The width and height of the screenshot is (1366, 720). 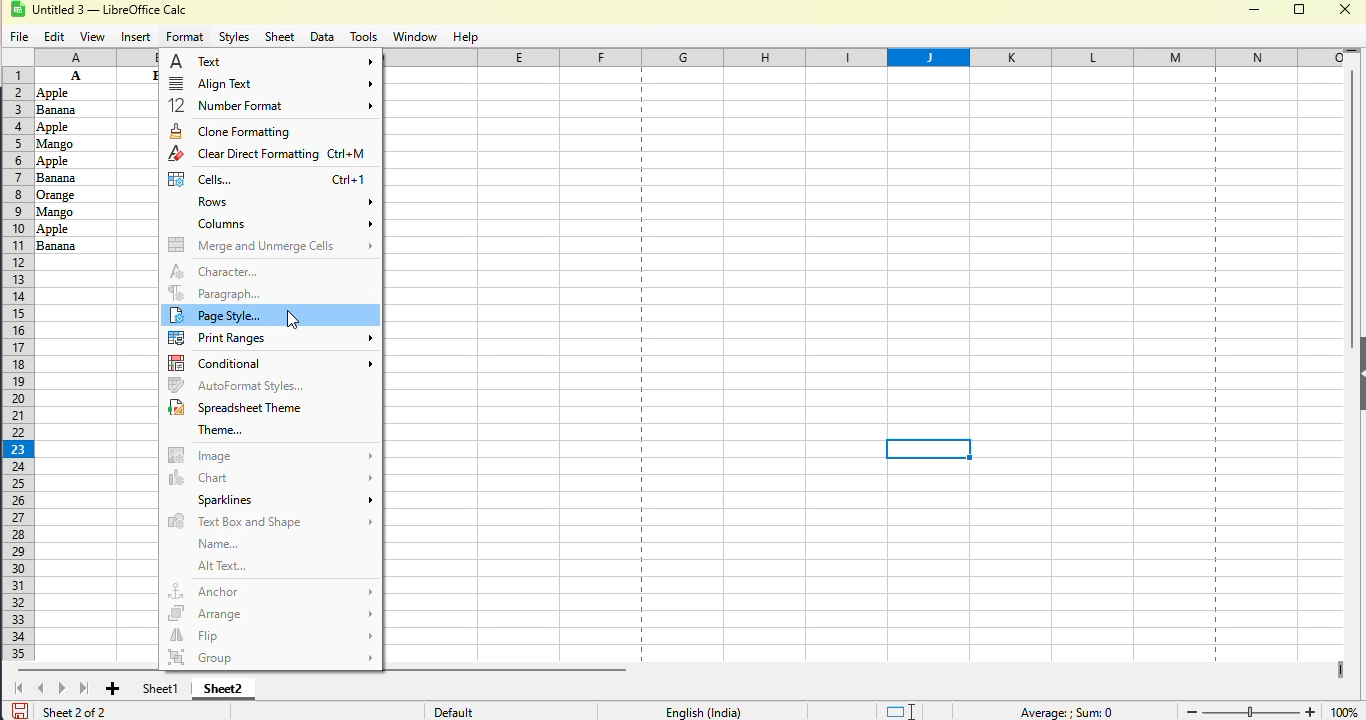 I want to click on text box and shape, so click(x=268, y=522).